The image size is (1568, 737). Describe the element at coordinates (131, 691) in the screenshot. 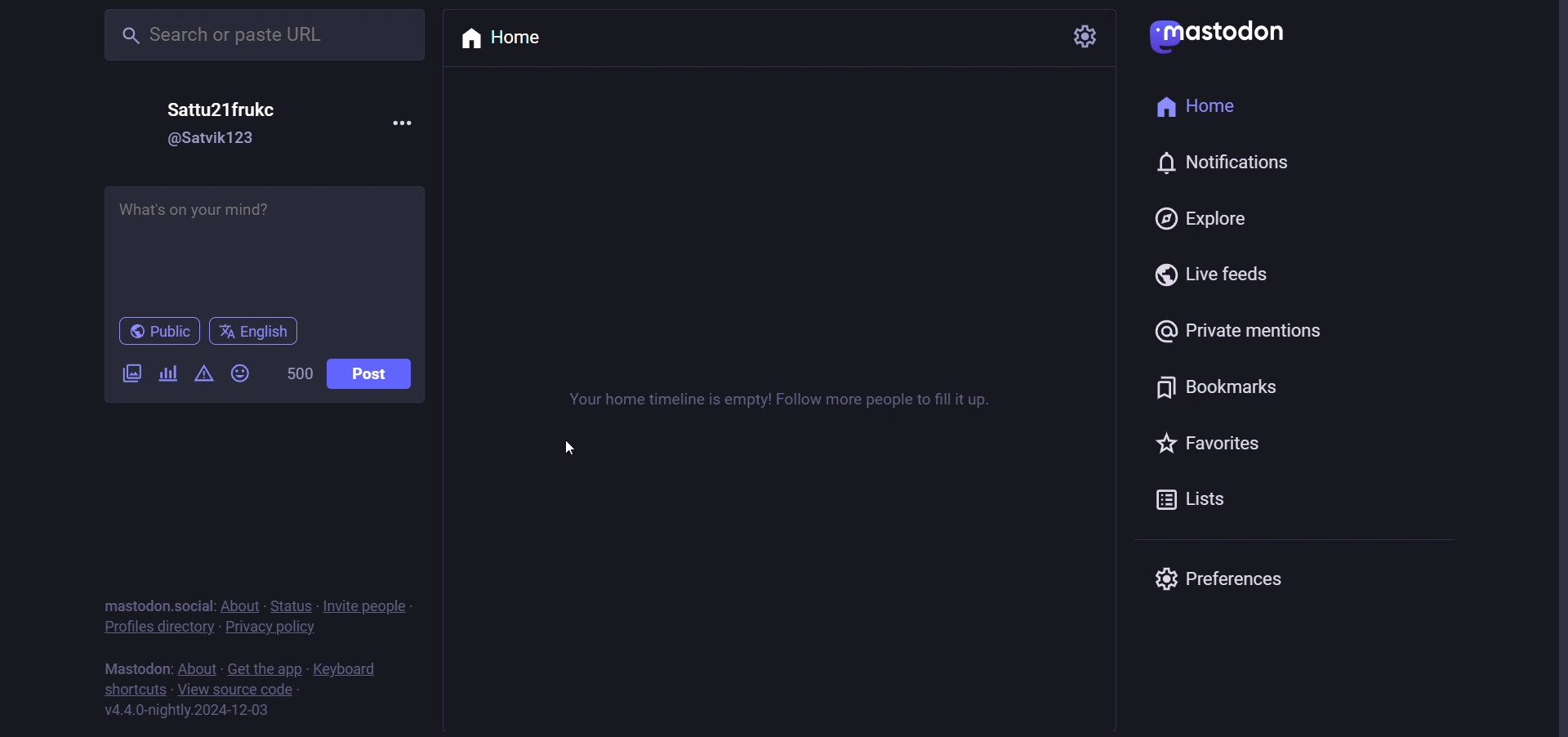

I see `shortcut` at that location.